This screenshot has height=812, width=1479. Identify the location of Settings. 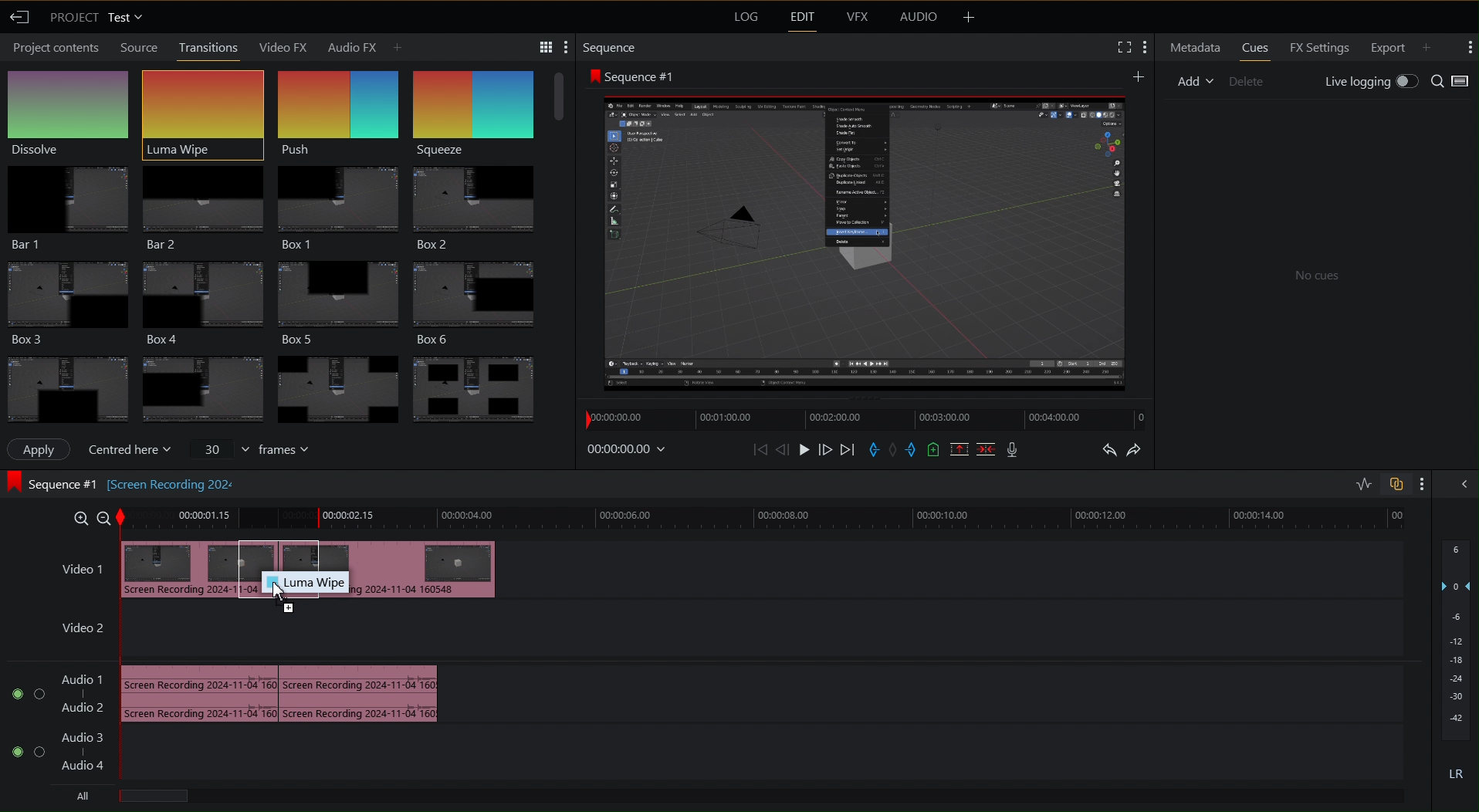
(1132, 48).